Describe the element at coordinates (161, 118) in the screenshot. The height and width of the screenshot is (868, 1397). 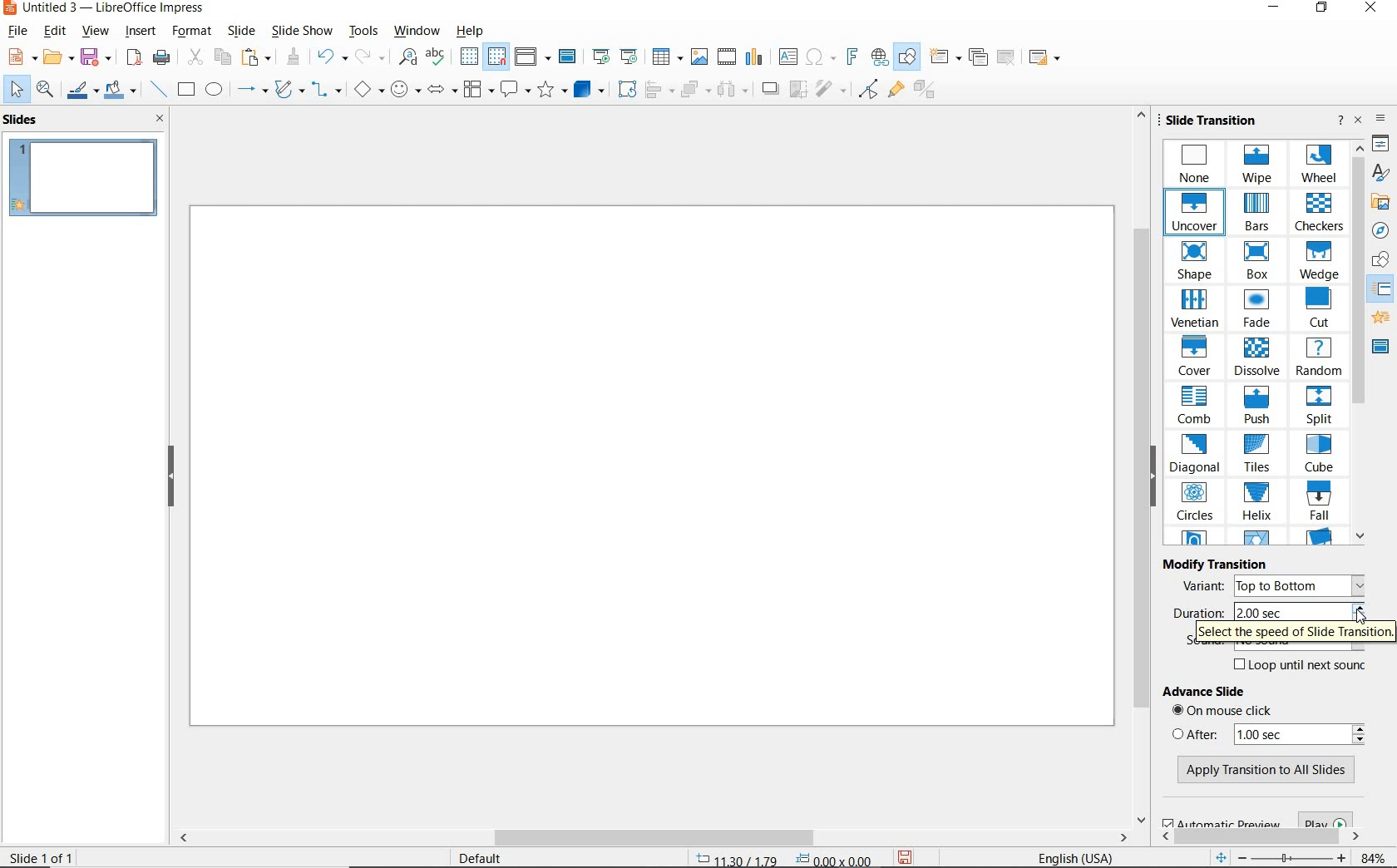
I see `CLOSE` at that location.